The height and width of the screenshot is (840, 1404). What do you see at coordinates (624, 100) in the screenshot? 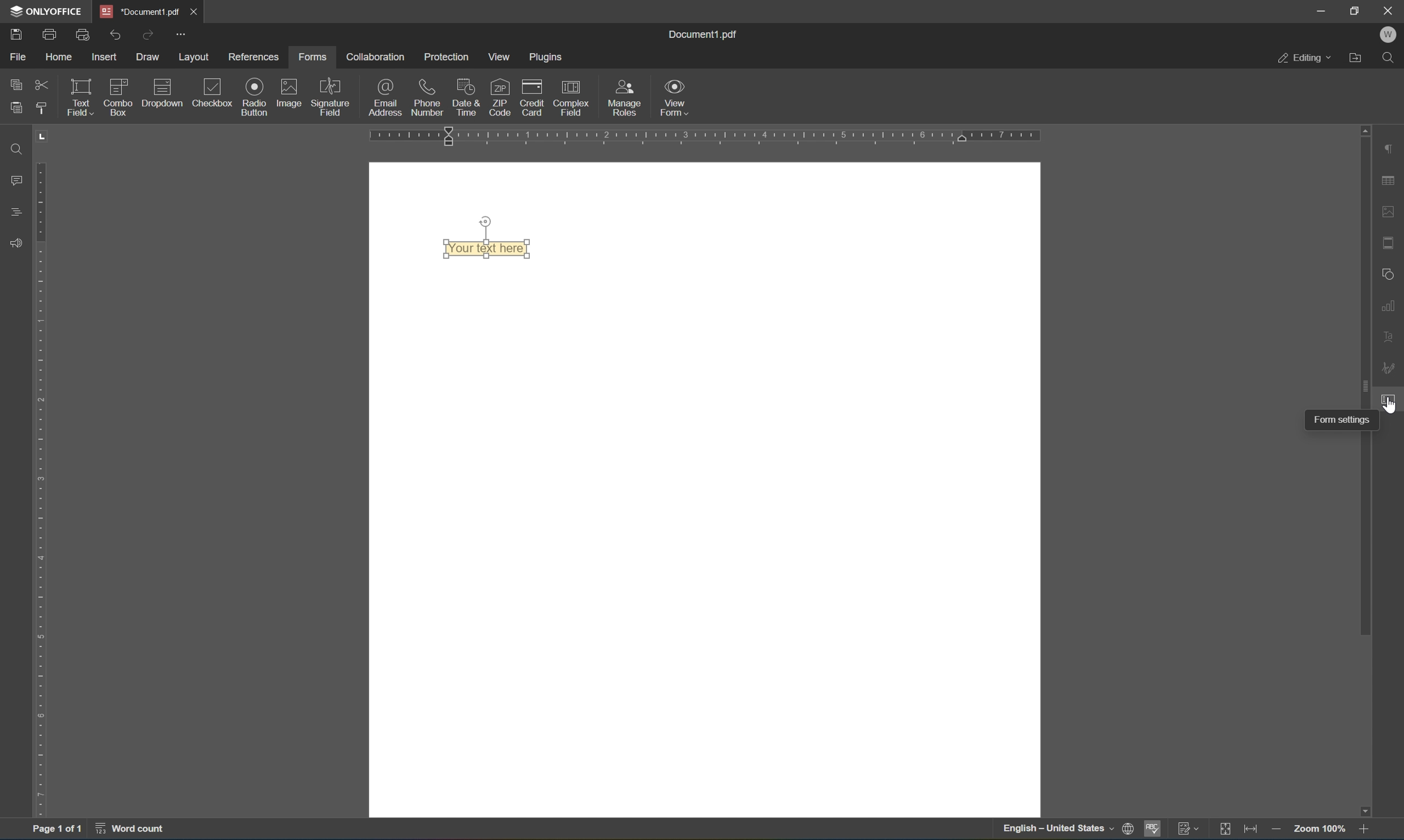
I see `manage roles` at bounding box center [624, 100].